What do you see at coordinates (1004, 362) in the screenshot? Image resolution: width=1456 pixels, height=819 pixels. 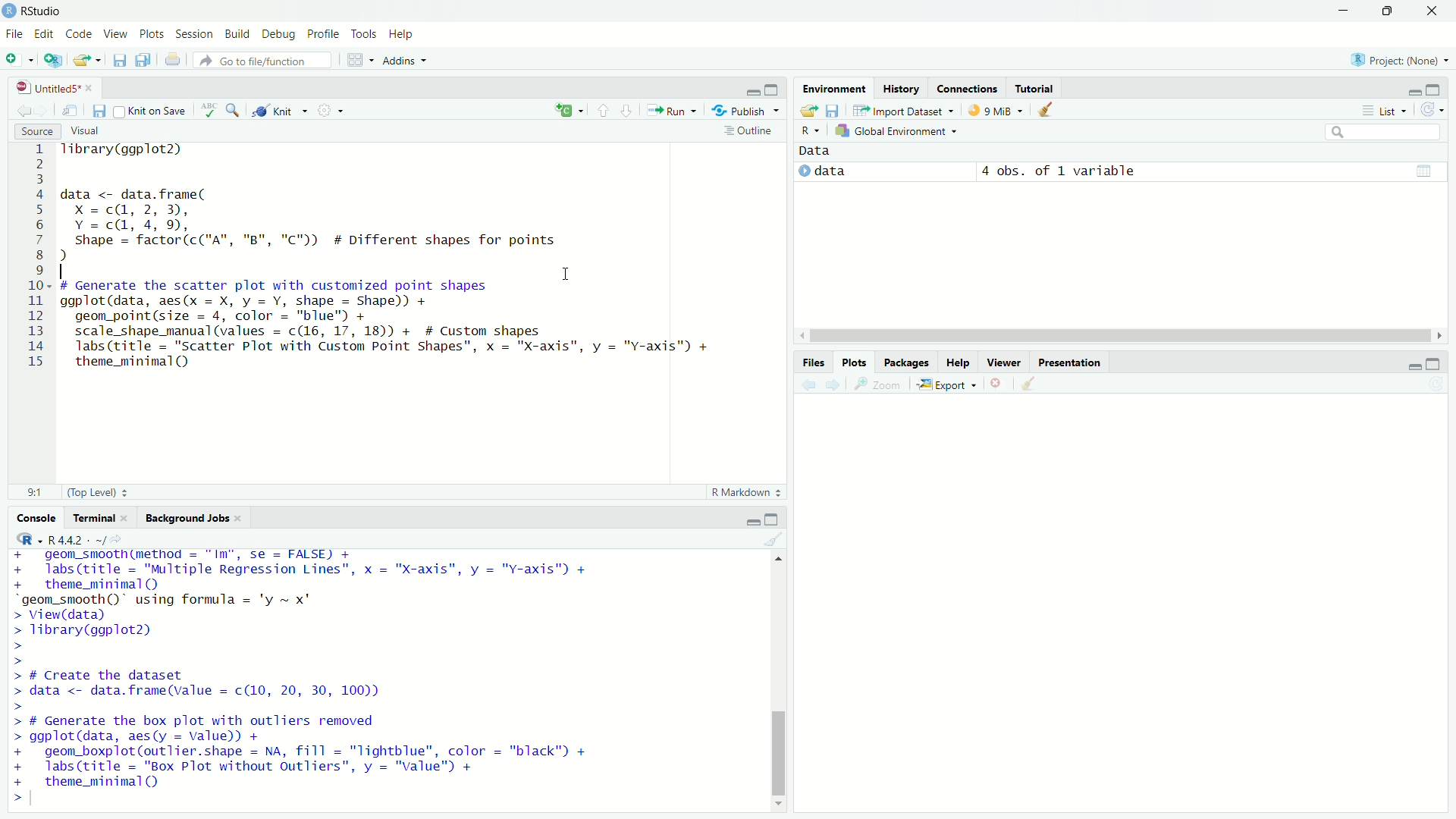 I see `Viewer` at bounding box center [1004, 362].